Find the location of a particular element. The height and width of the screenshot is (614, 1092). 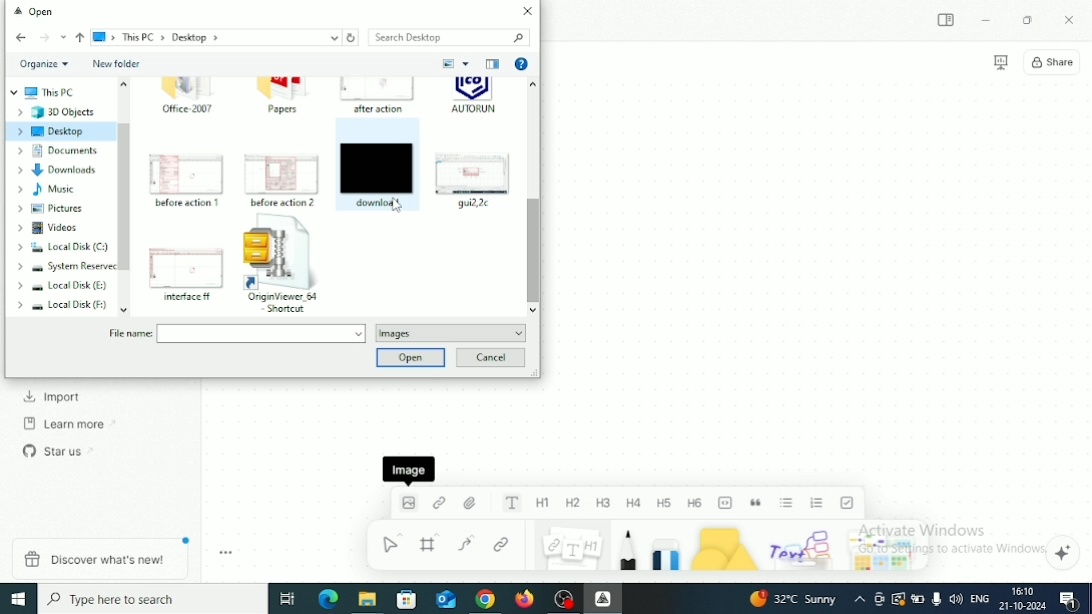

Meet Now is located at coordinates (879, 599).